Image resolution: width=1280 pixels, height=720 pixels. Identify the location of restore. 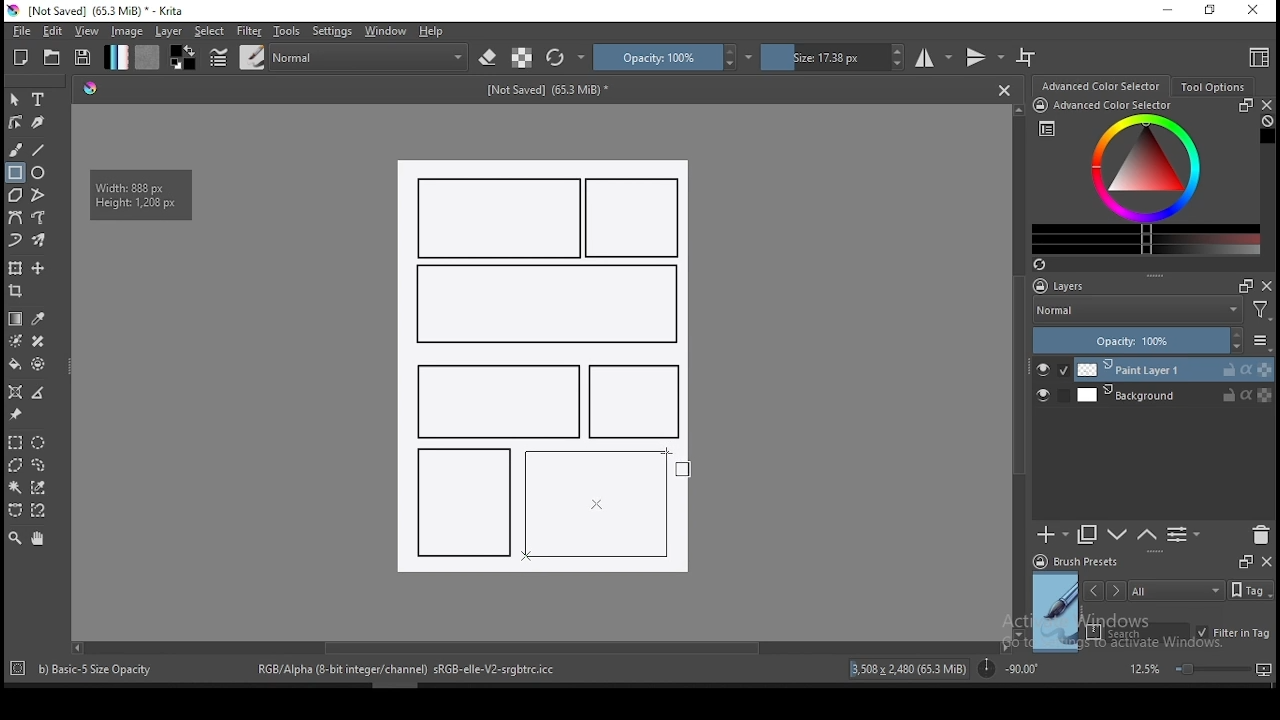
(1214, 11).